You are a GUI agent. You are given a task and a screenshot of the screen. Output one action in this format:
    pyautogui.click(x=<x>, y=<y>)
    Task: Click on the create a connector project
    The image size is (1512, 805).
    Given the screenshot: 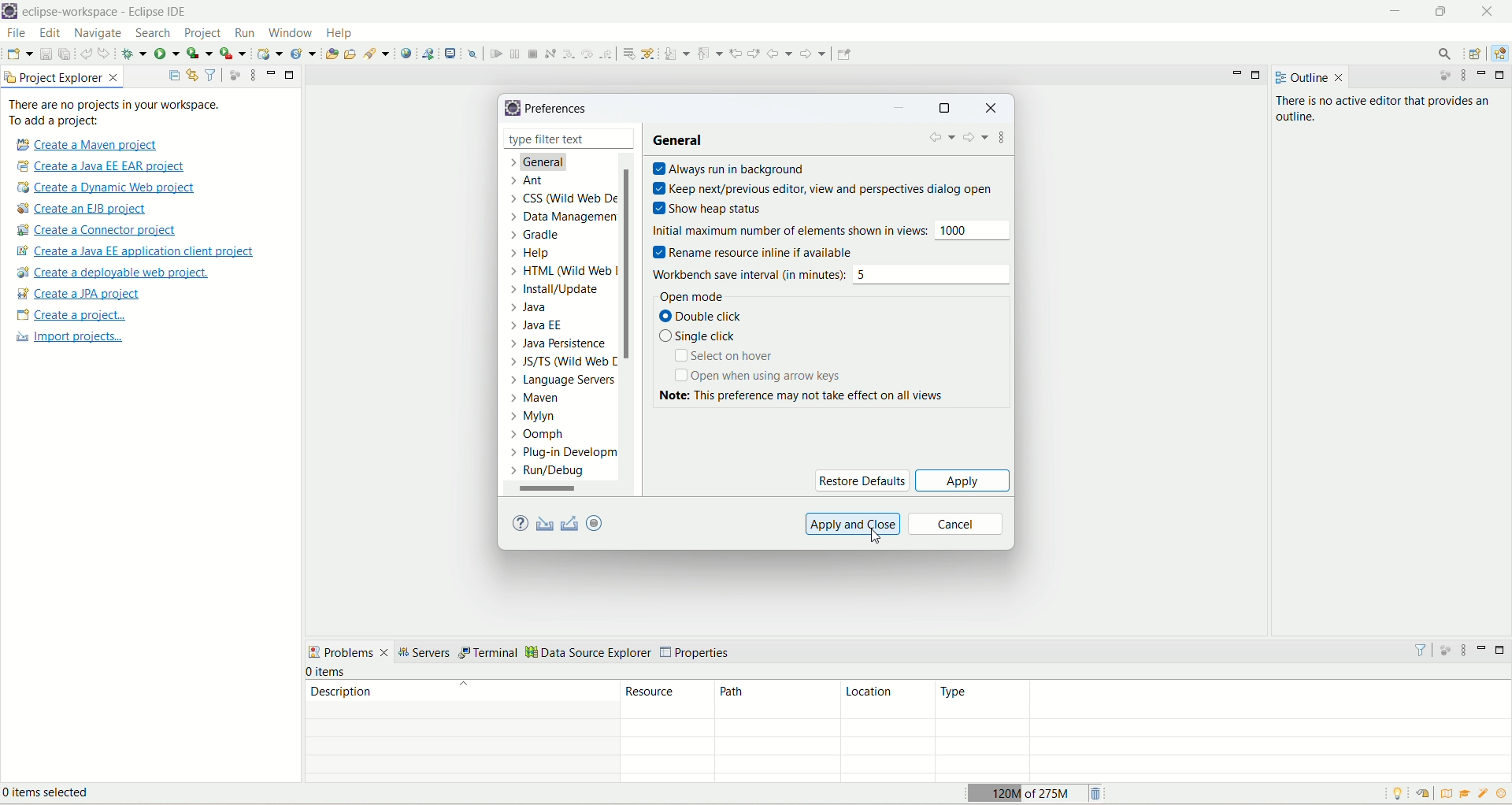 What is the action you would take?
    pyautogui.click(x=99, y=231)
    